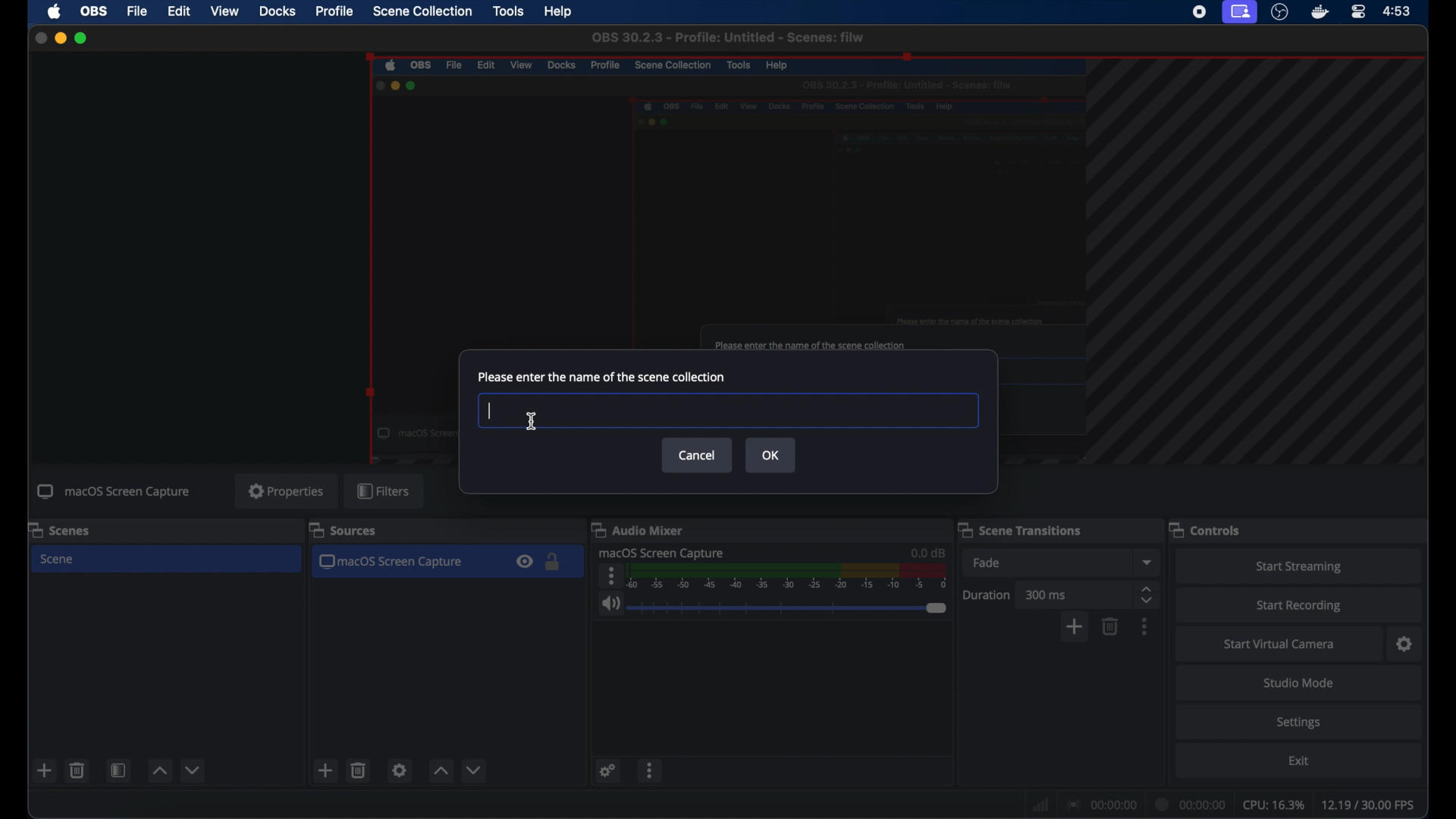 The image size is (1456, 819). What do you see at coordinates (1299, 764) in the screenshot?
I see `exit` at bounding box center [1299, 764].